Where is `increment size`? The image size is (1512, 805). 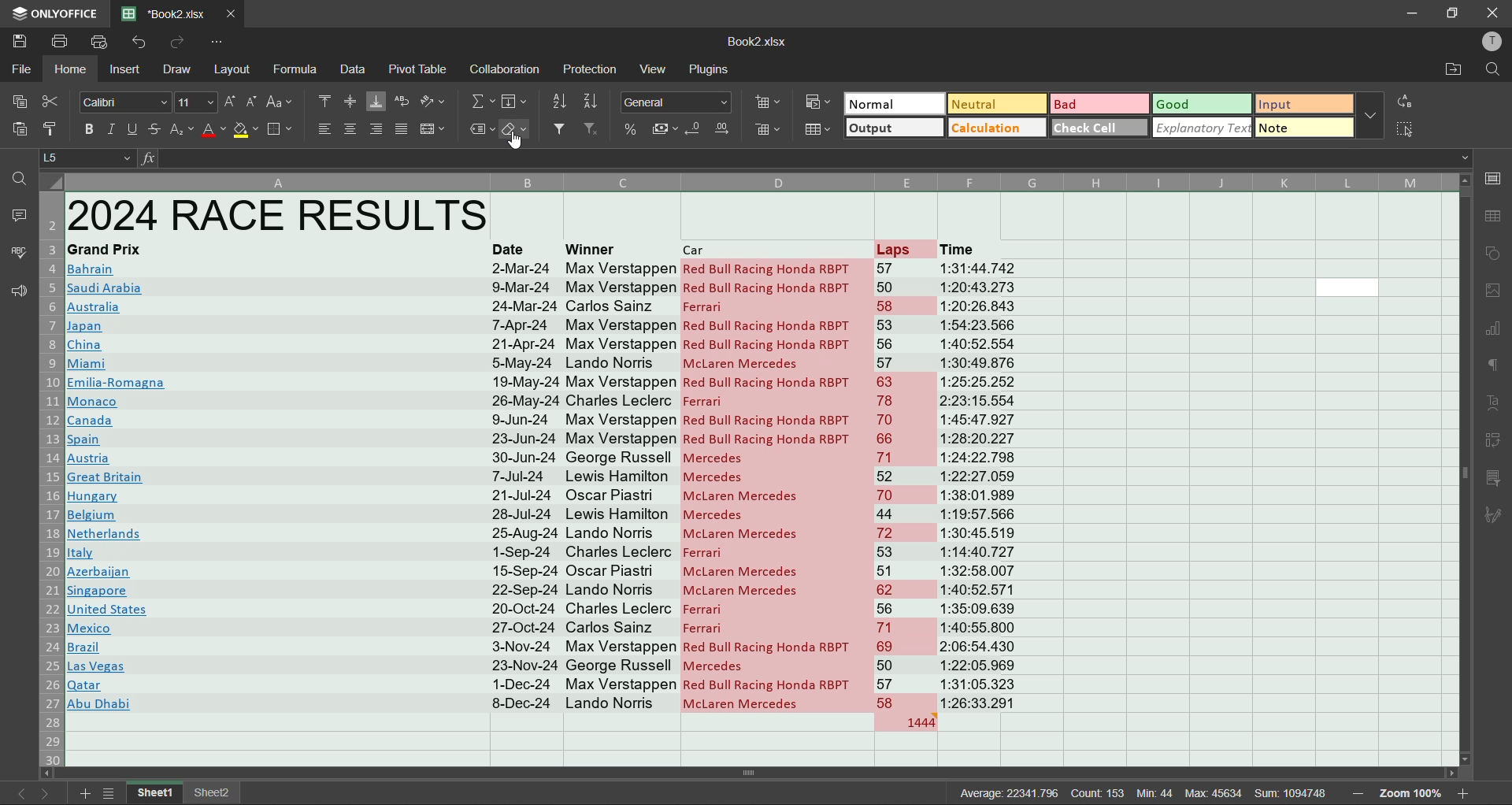 increment size is located at coordinates (232, 102).